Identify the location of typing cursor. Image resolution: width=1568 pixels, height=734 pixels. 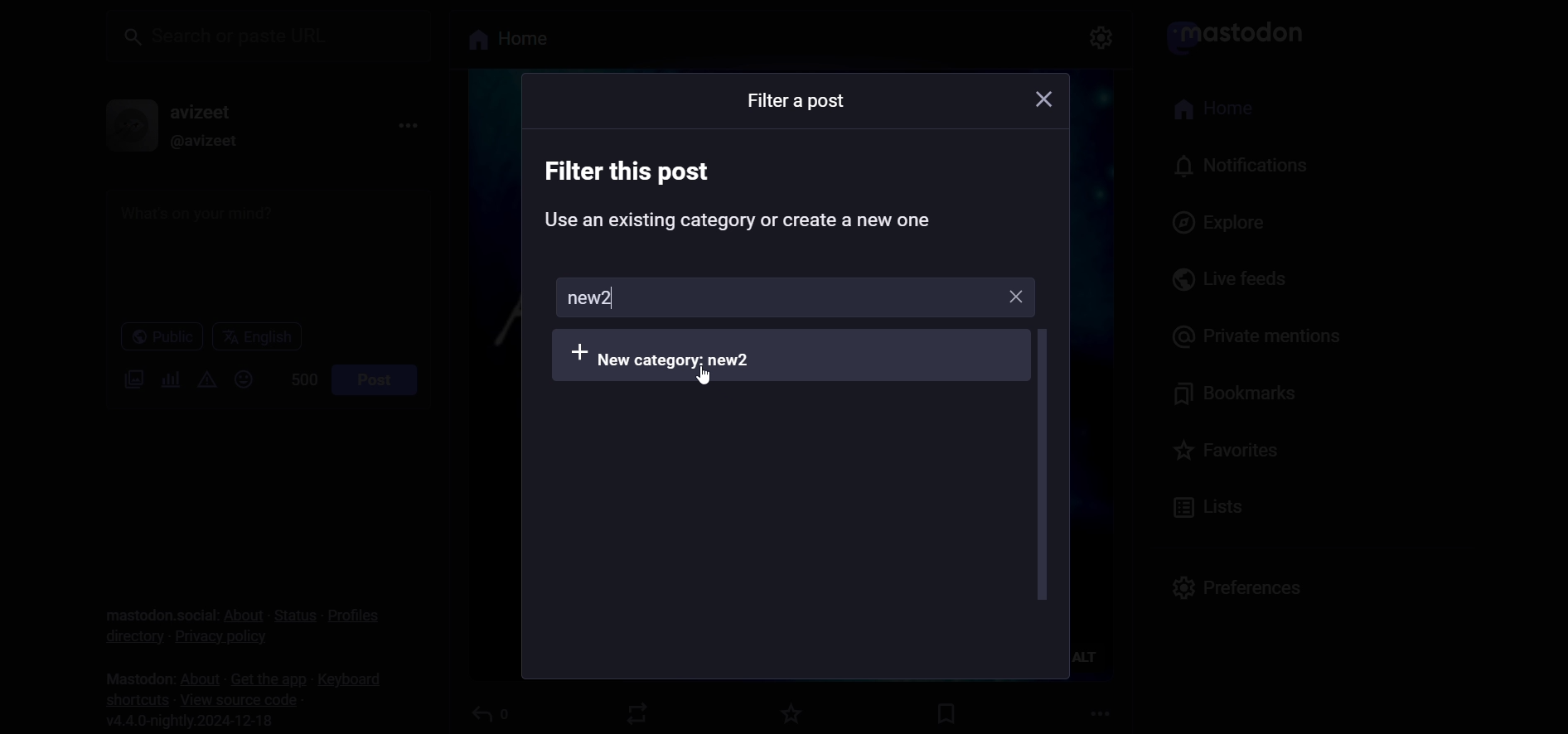
(612, 291).